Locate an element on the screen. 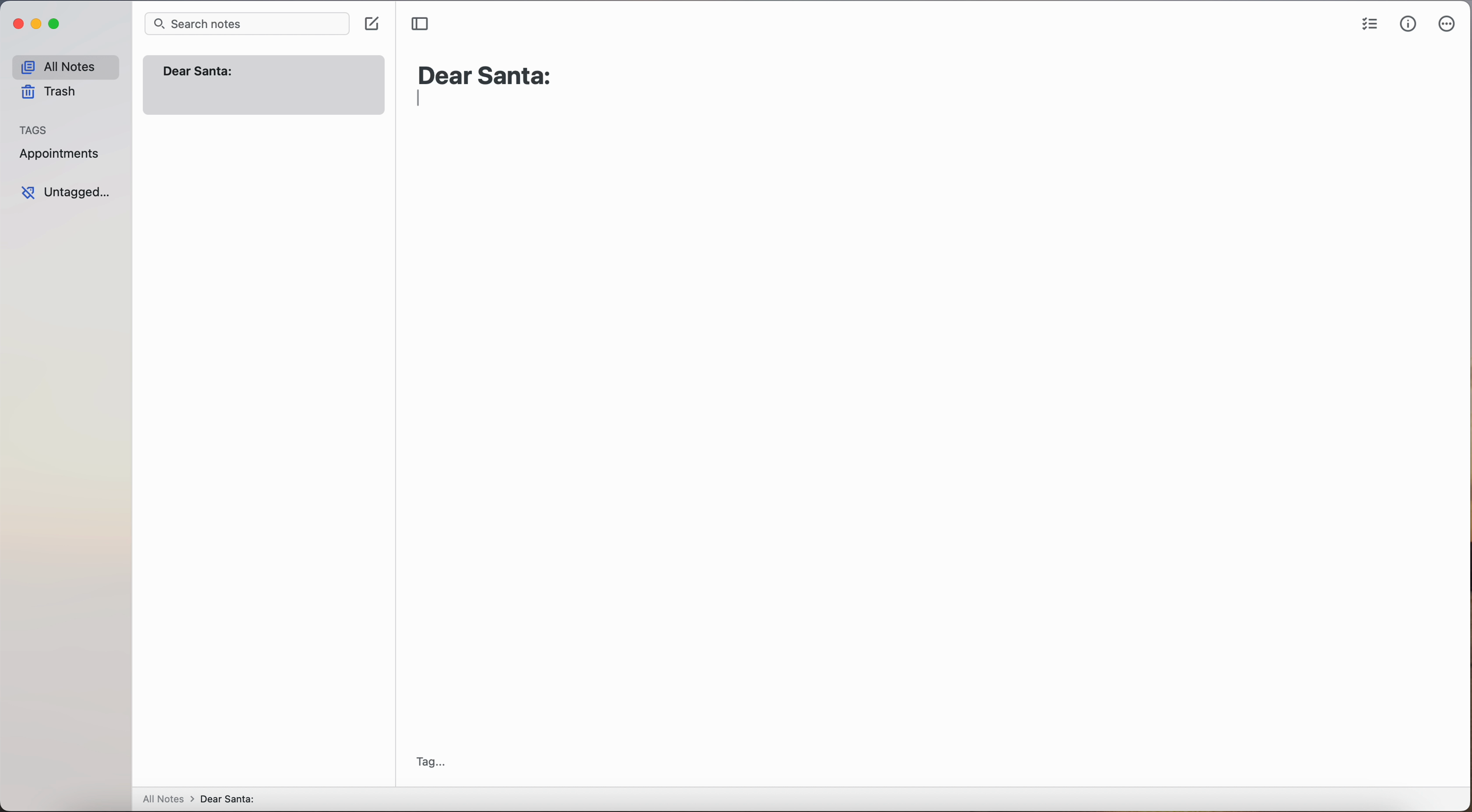 The width and height of the screenshot is (1472, 812). all notes is located at coordinates (163, 799).